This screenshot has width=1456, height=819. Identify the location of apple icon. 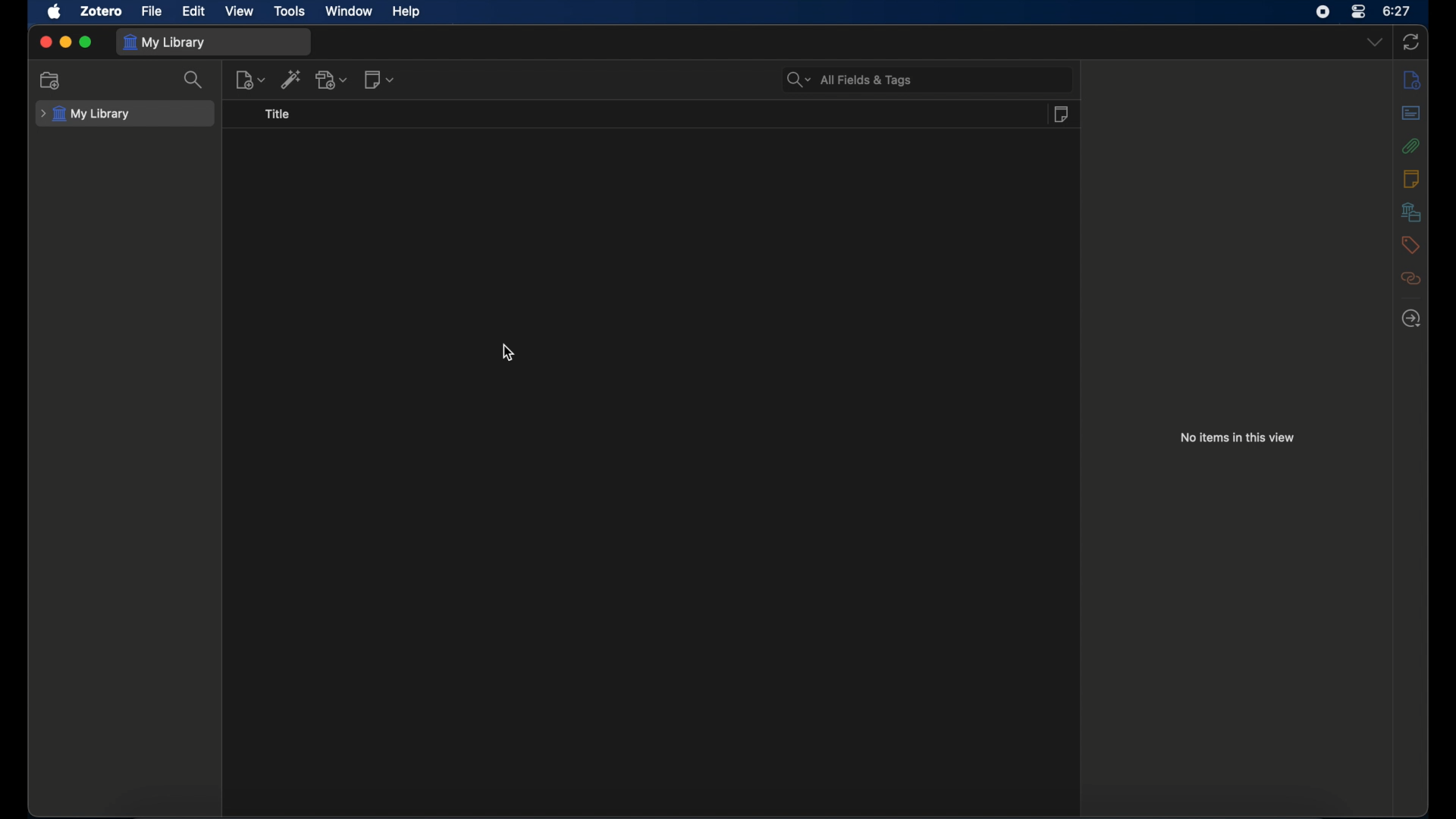
(55, 11).